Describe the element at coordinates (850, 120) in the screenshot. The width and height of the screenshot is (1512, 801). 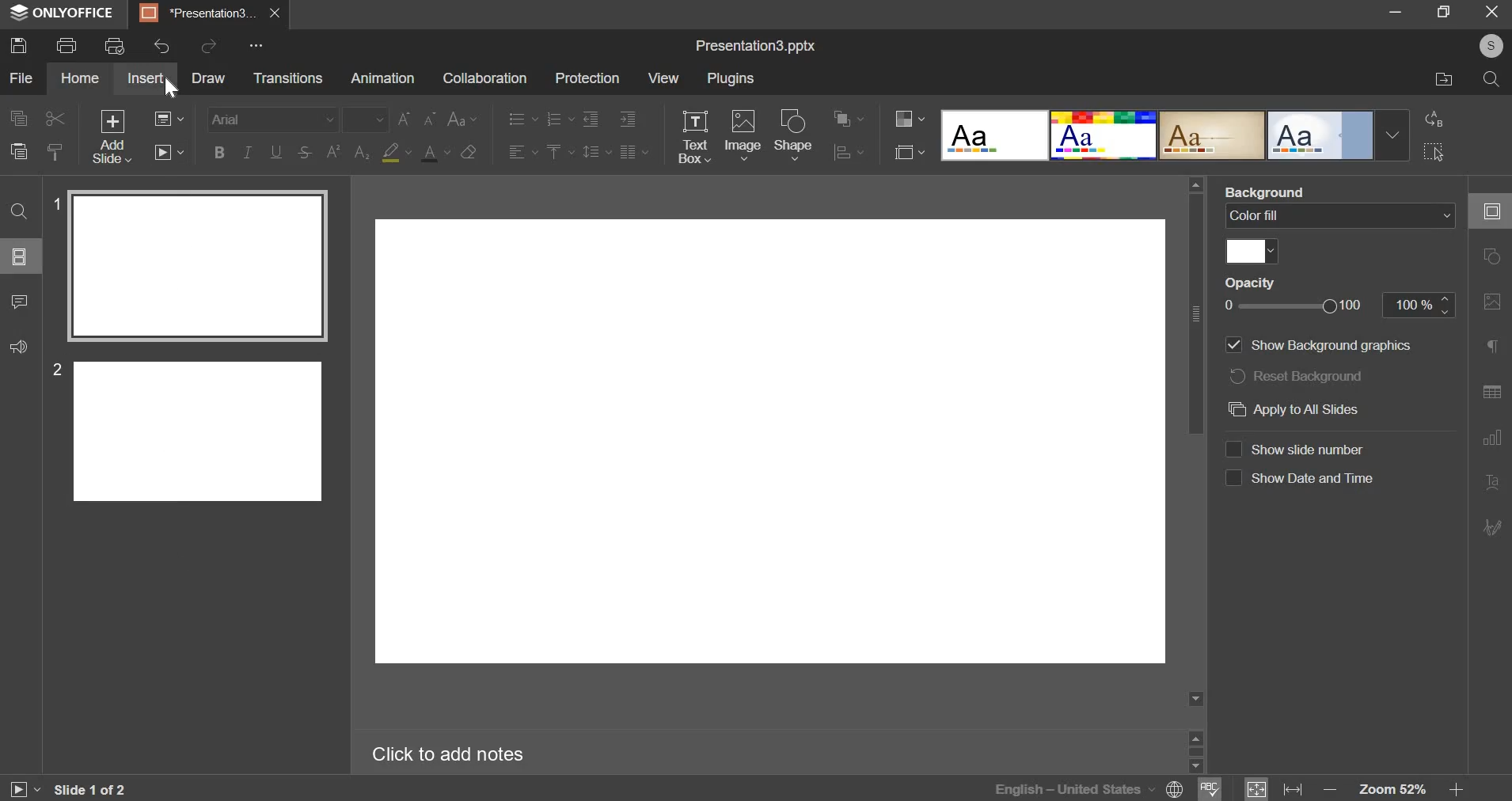
I see `arrange` at that location.